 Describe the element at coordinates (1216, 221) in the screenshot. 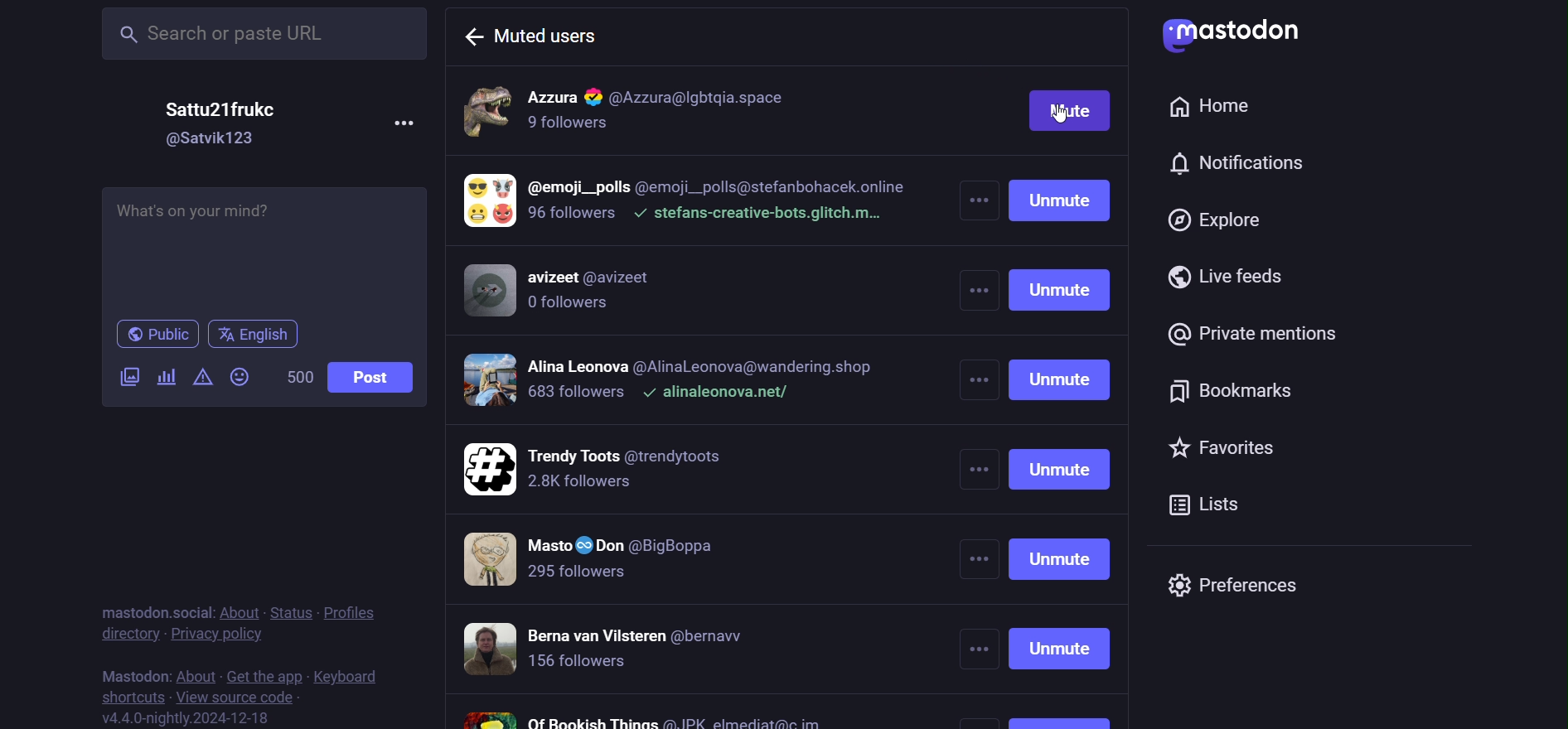

I see `explore` at that location.